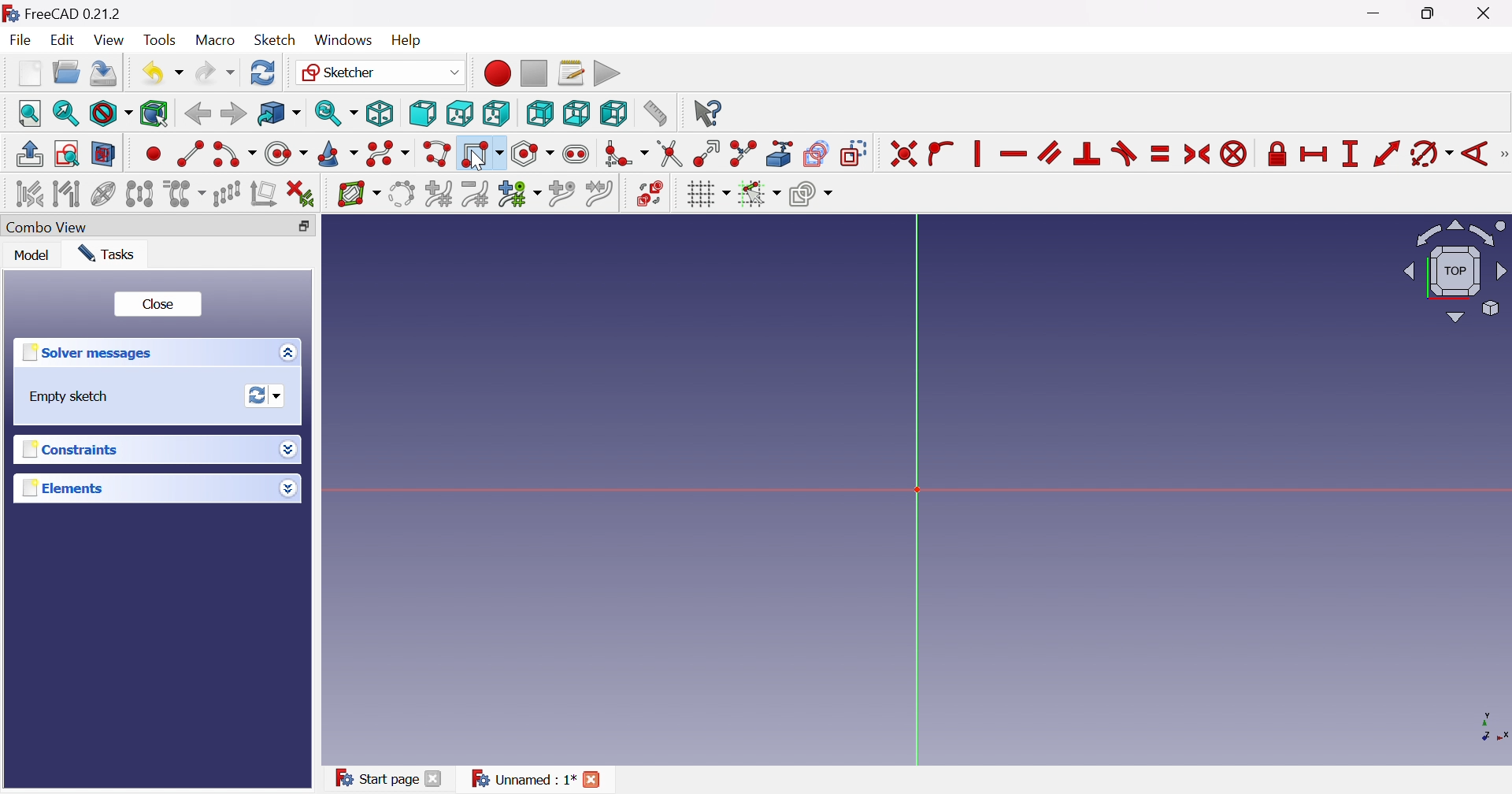 This screenshot has height=794, width=1512. What do you see at coordinates (1451, 270) in the screenshot?
I see `Viewing angle` at bounding box center [1451, 270].